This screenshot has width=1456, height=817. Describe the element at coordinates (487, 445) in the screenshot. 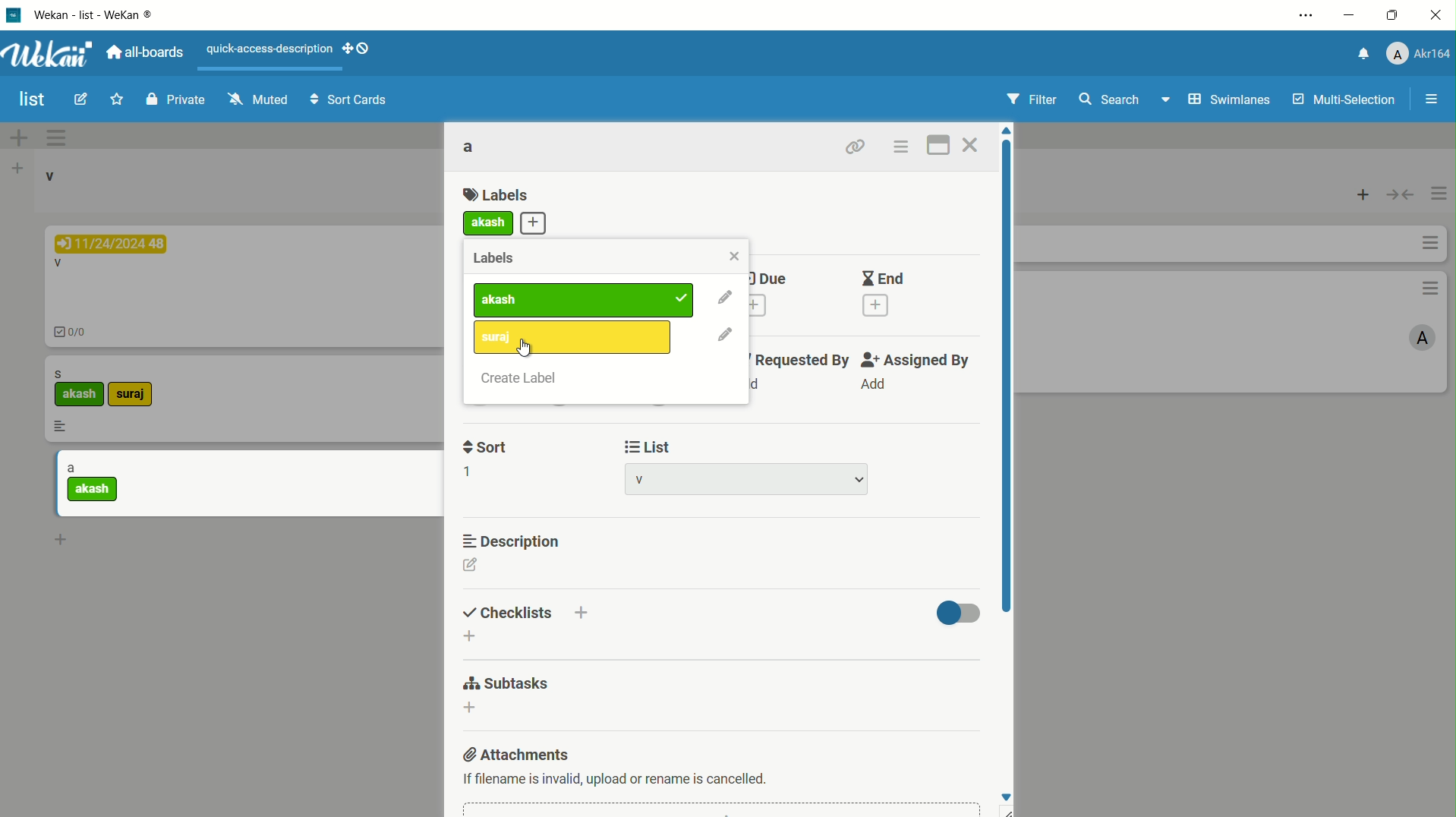

I see `sort` at that location.